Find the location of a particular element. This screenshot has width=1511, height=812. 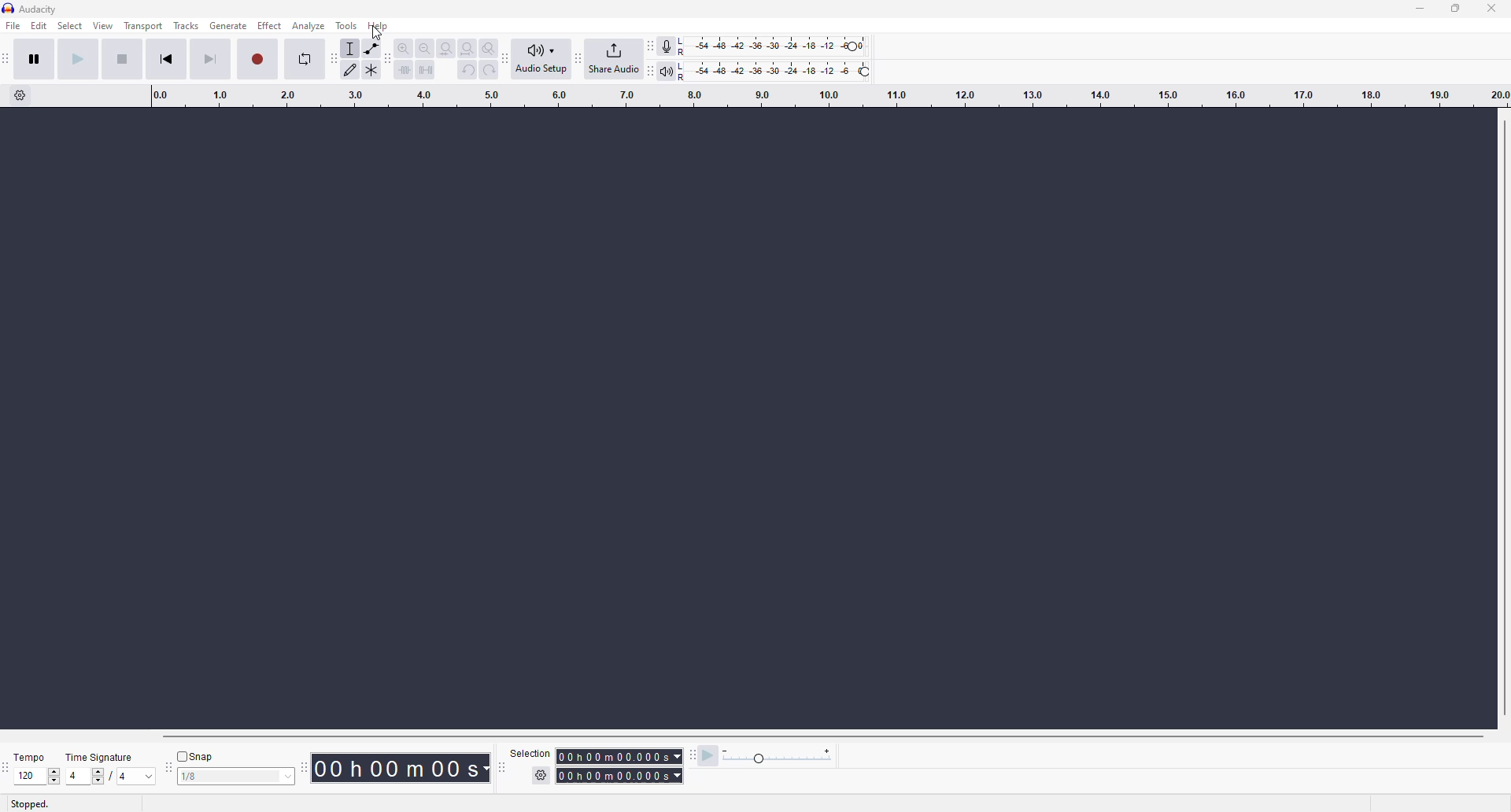

audacity is located at coordinates (39, 9).